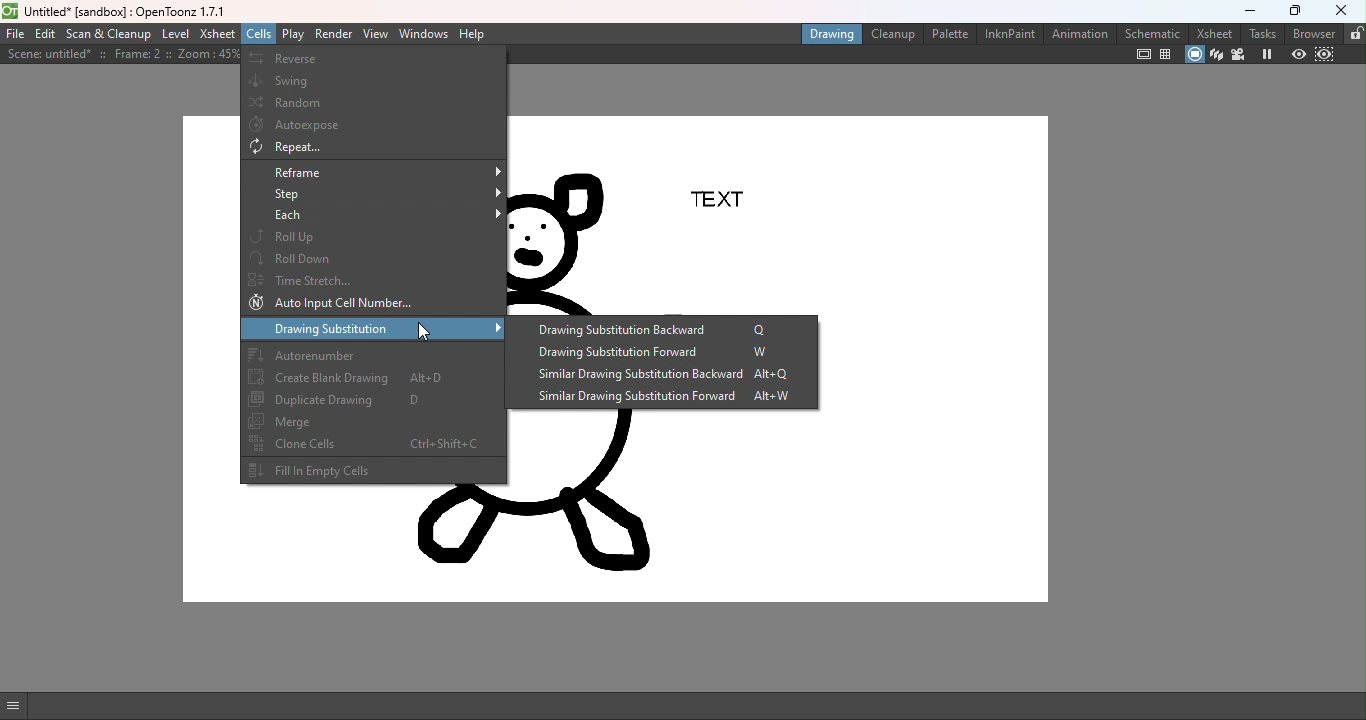 The width and height of the screenshot is (1366, 720). What do you see at coordinates (375, 260) in the screenshot?
I see `Roll down` at bounding box center [375, 260].